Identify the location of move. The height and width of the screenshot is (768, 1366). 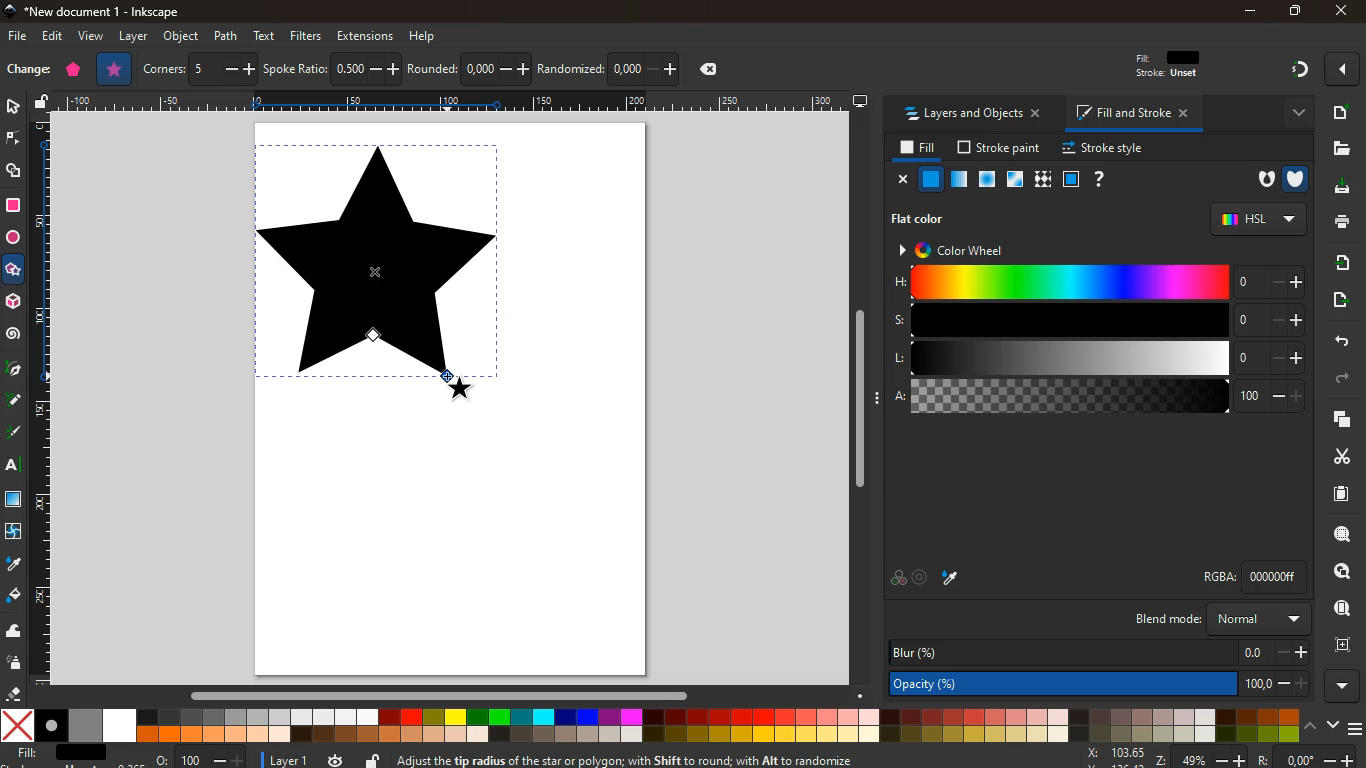
(1337, 301).